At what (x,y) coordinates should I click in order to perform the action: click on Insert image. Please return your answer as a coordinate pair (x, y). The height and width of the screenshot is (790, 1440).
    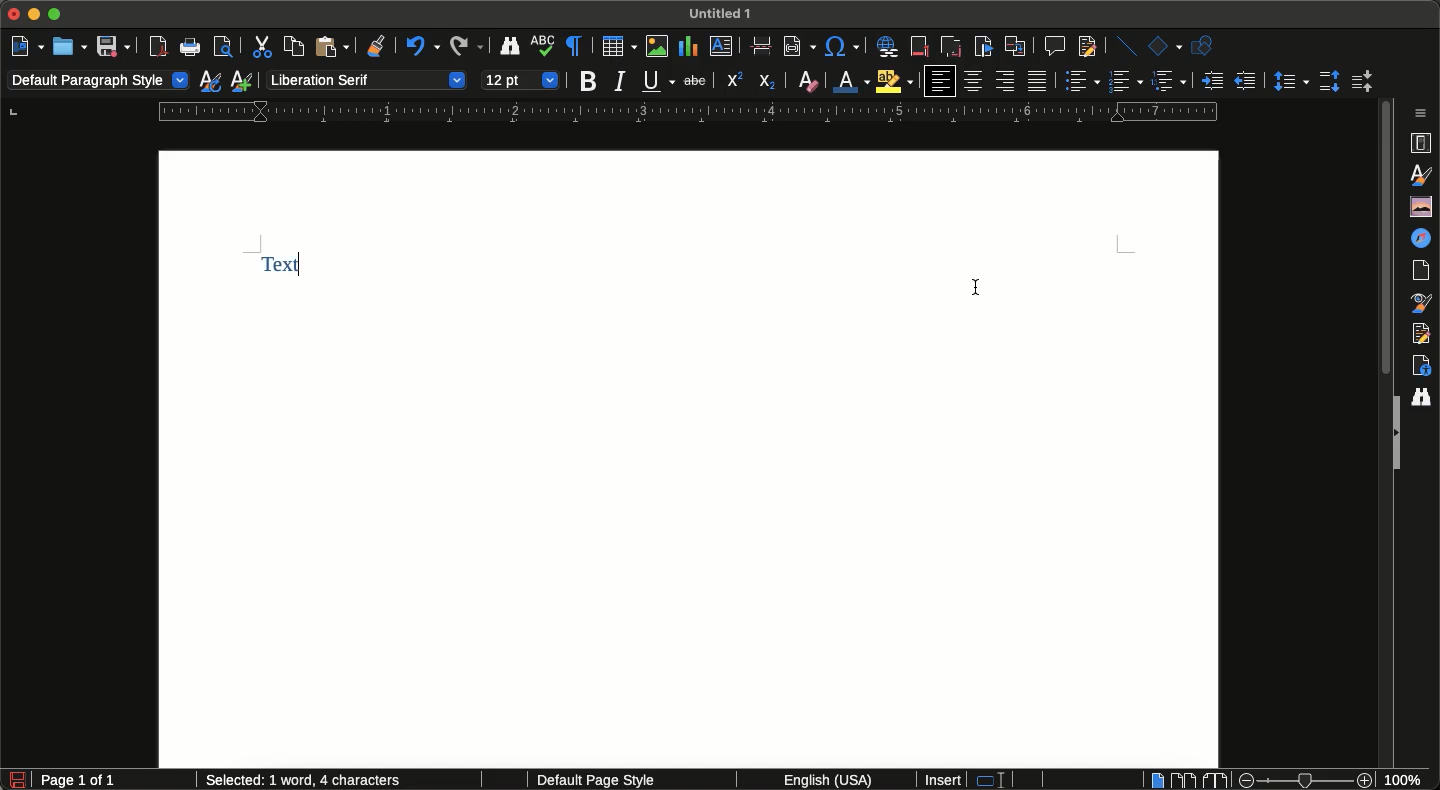
    Looking at the image, I should click on (658, 46).